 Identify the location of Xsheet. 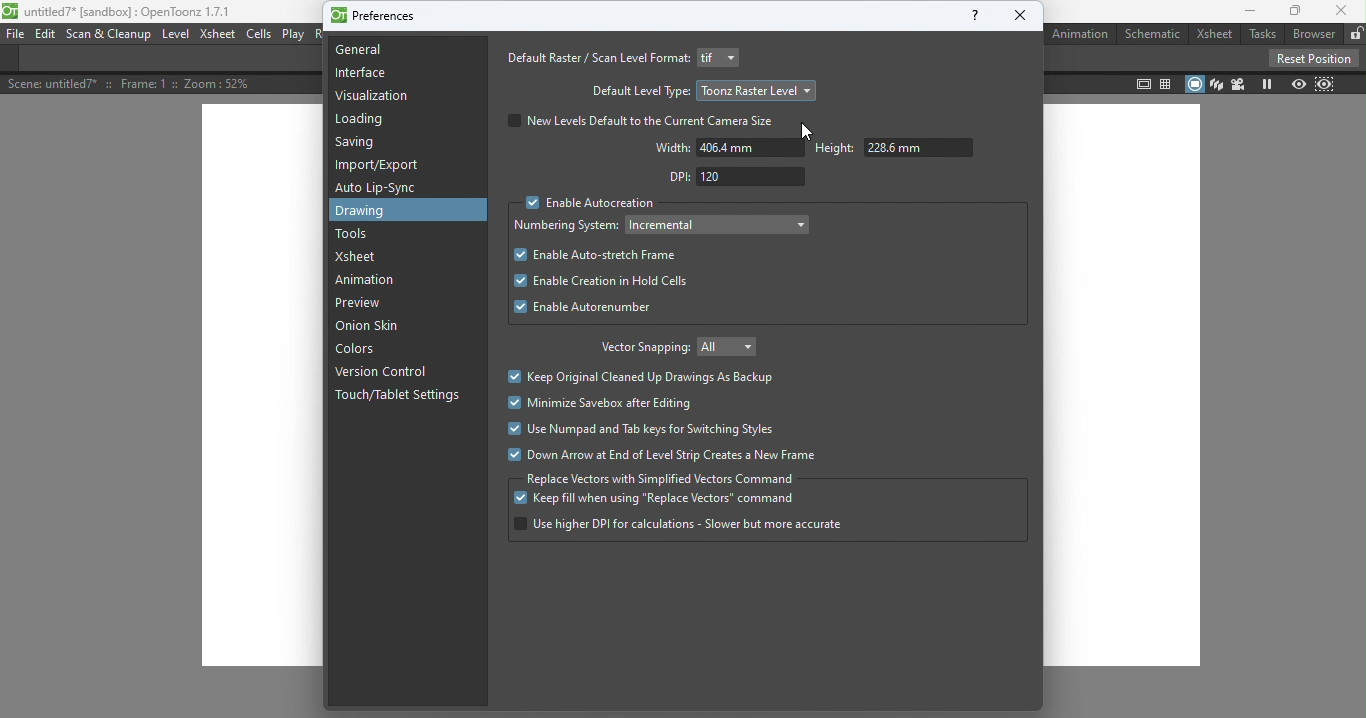
(216, 36).